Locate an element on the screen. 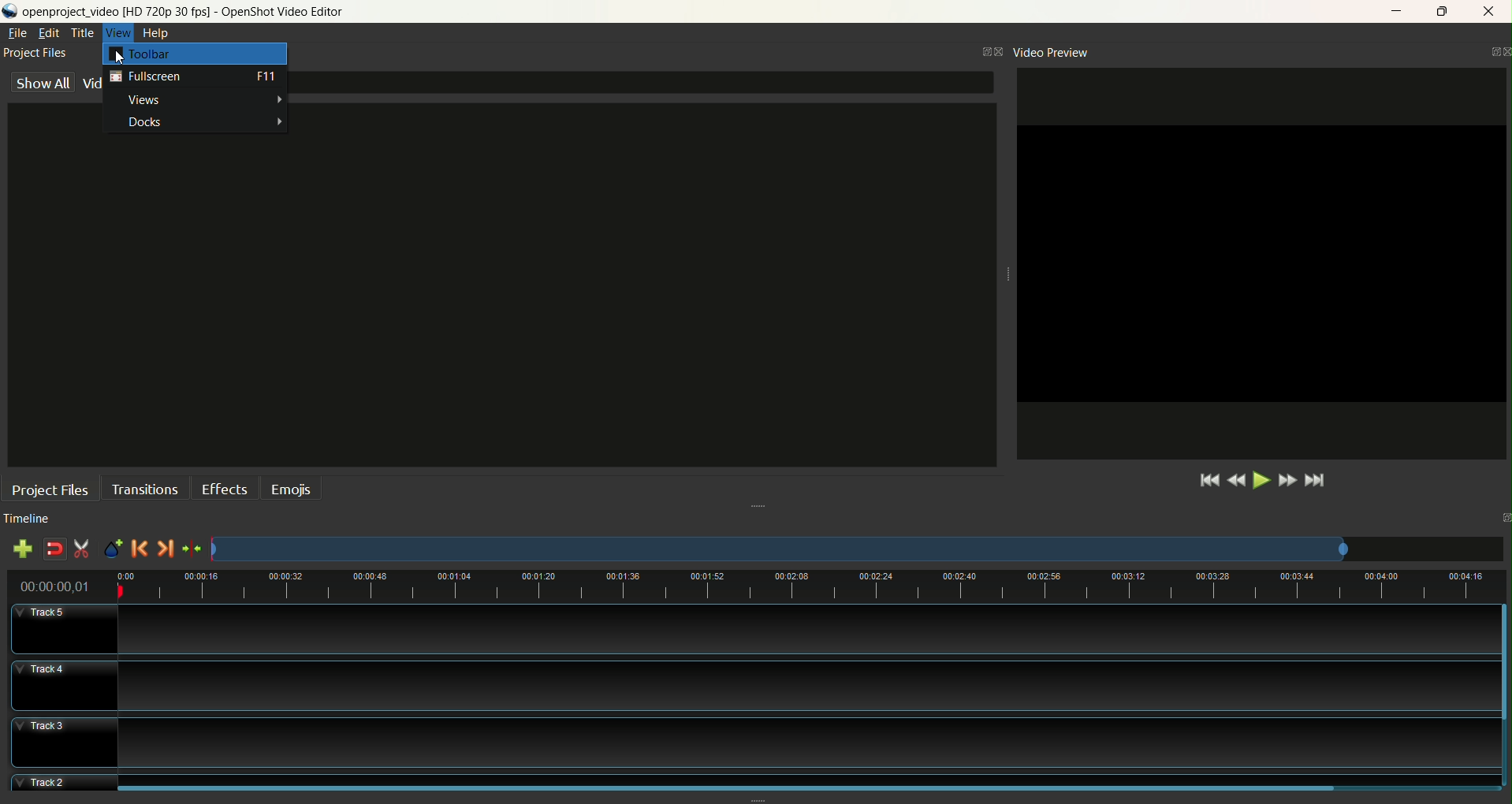 This screenshot has height=804, width=1512. toolbar is located at coordinates (196, 55).